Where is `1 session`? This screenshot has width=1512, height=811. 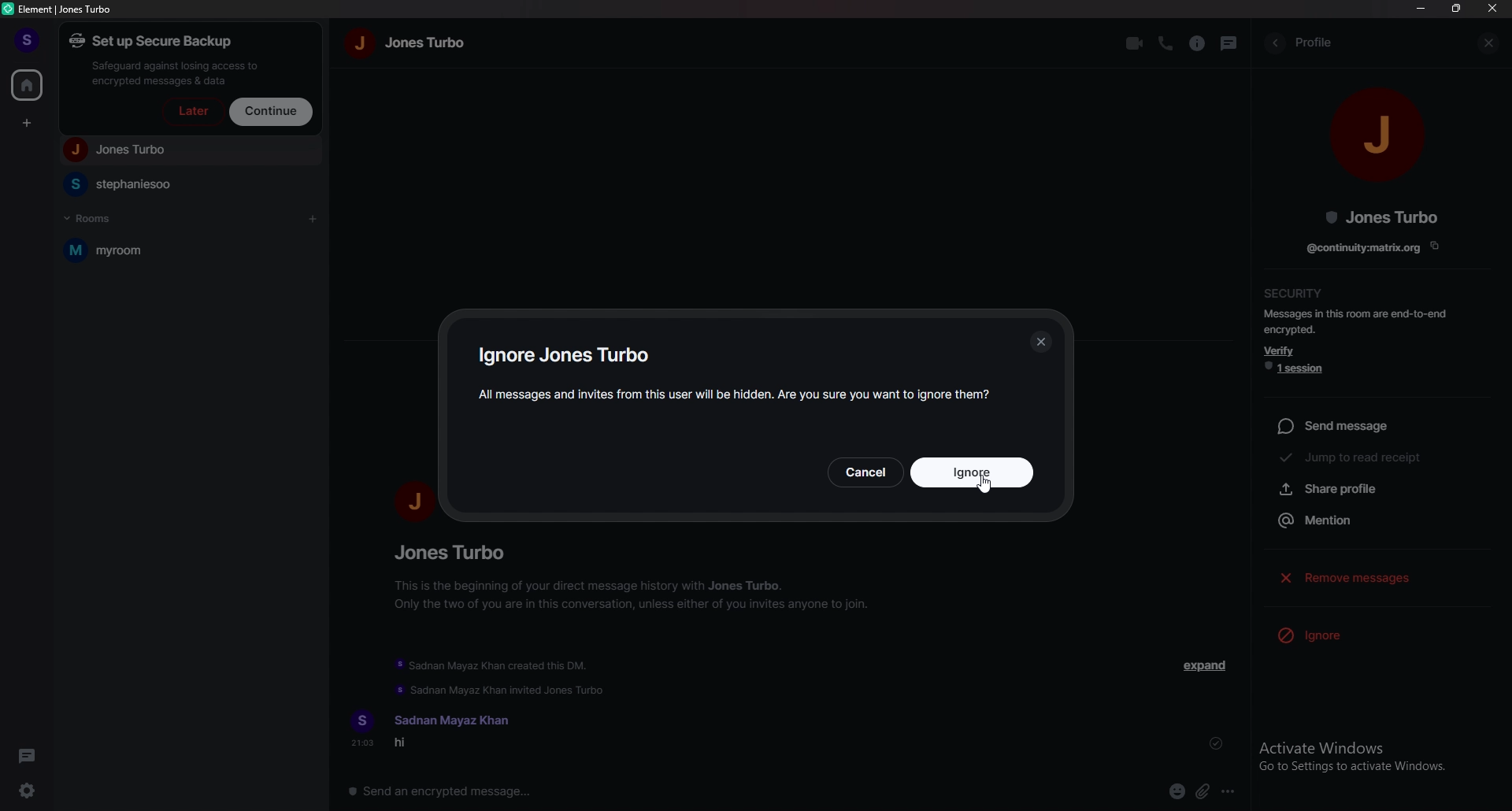 1 session is located at coordinates (1299, 368).